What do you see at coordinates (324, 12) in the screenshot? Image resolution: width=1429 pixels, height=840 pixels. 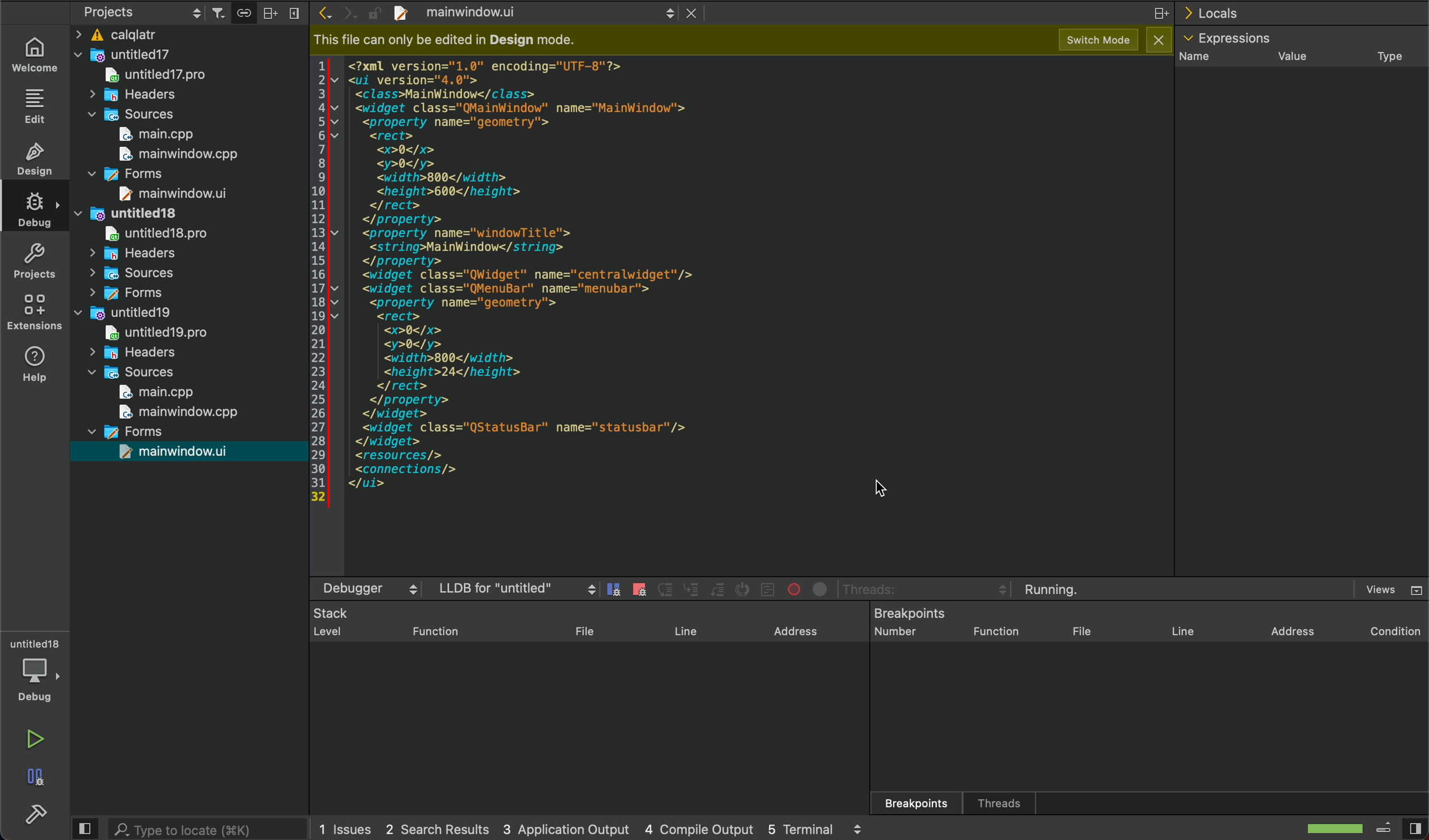 I see `previous` at bounding box center [324, 12].